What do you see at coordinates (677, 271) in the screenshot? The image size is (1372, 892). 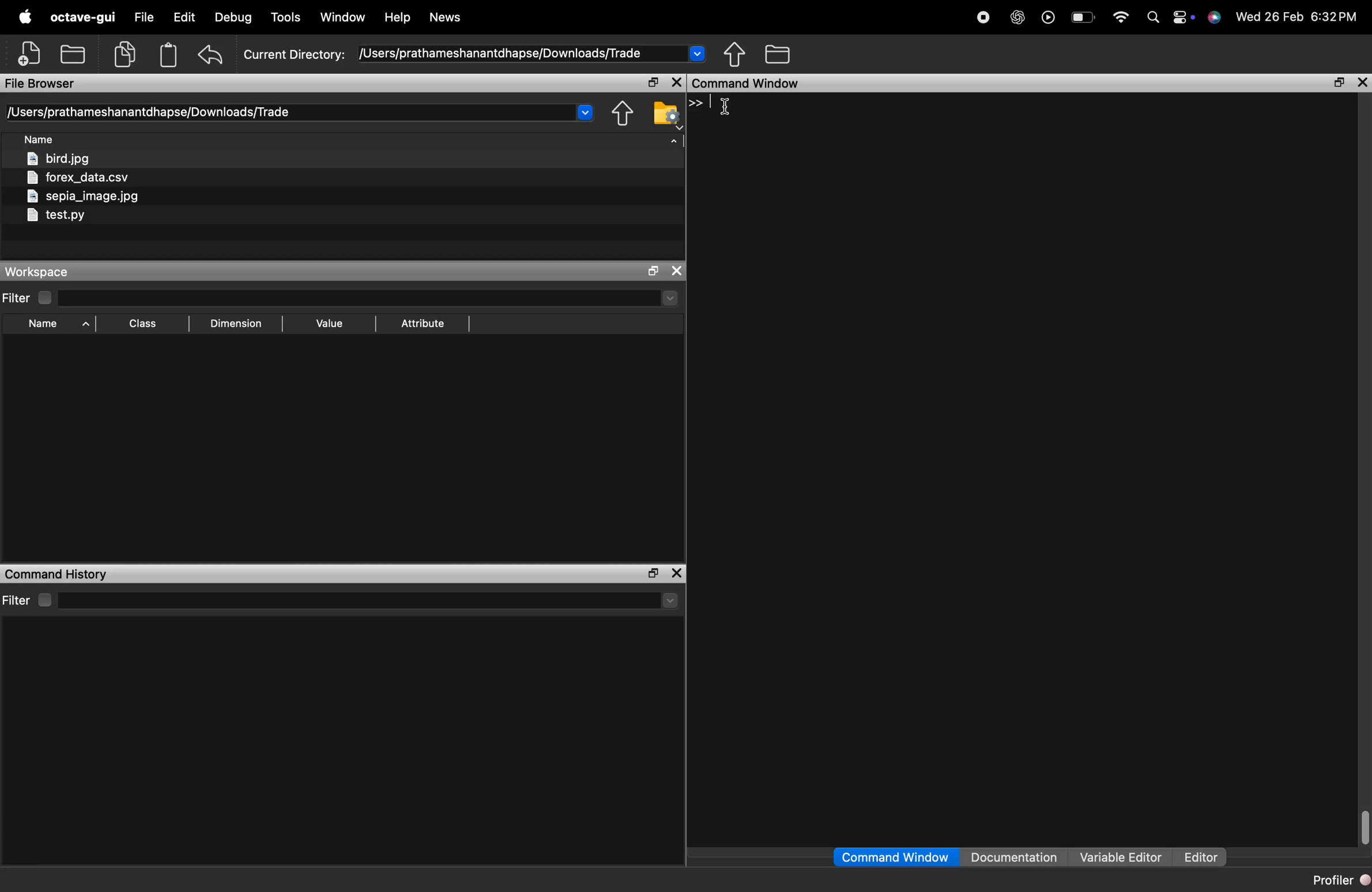 I see `close` at bounding box center [677, 271].